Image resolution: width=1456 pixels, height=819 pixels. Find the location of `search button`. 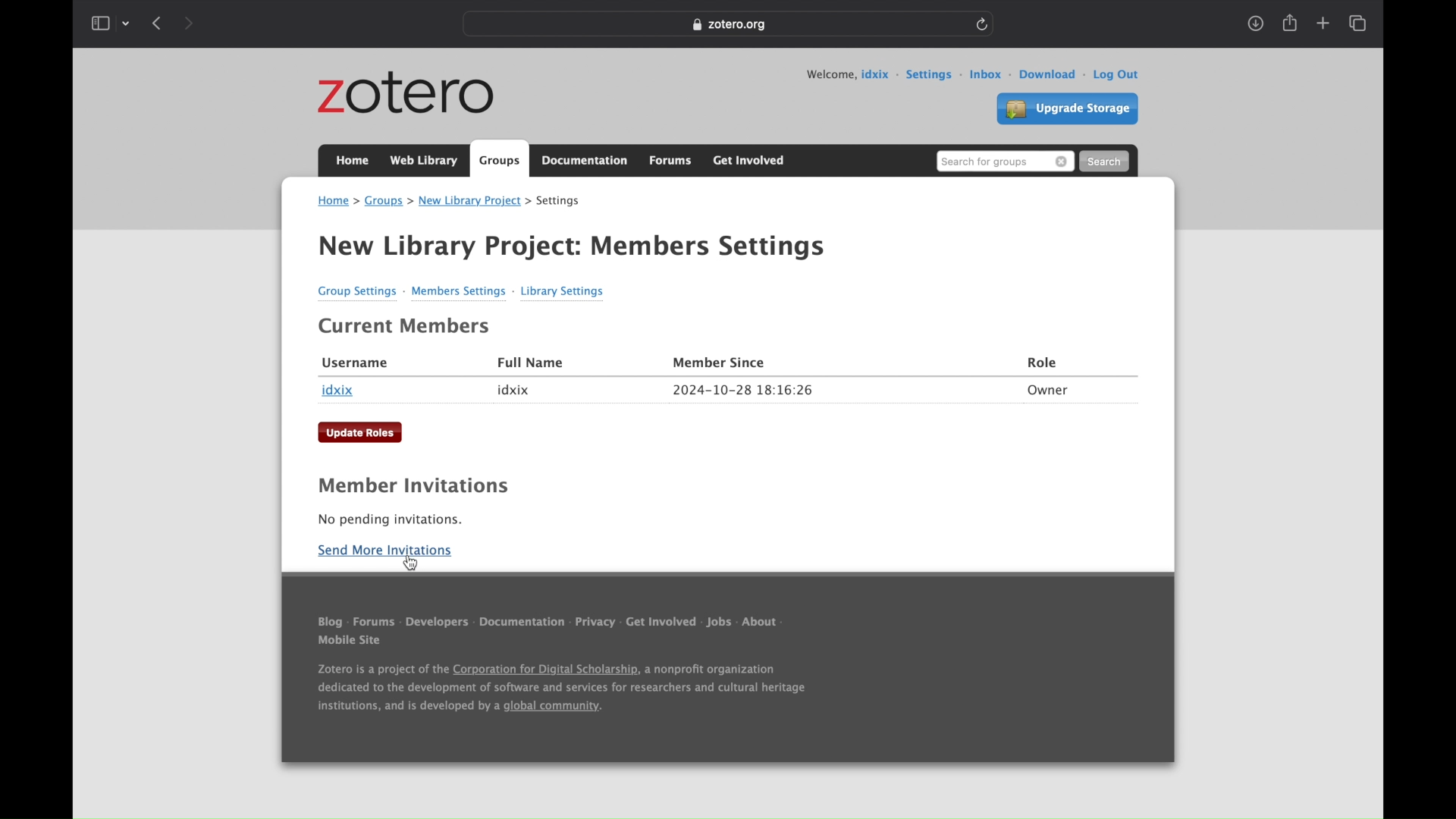

search button is located at coordinates (1105, 162).